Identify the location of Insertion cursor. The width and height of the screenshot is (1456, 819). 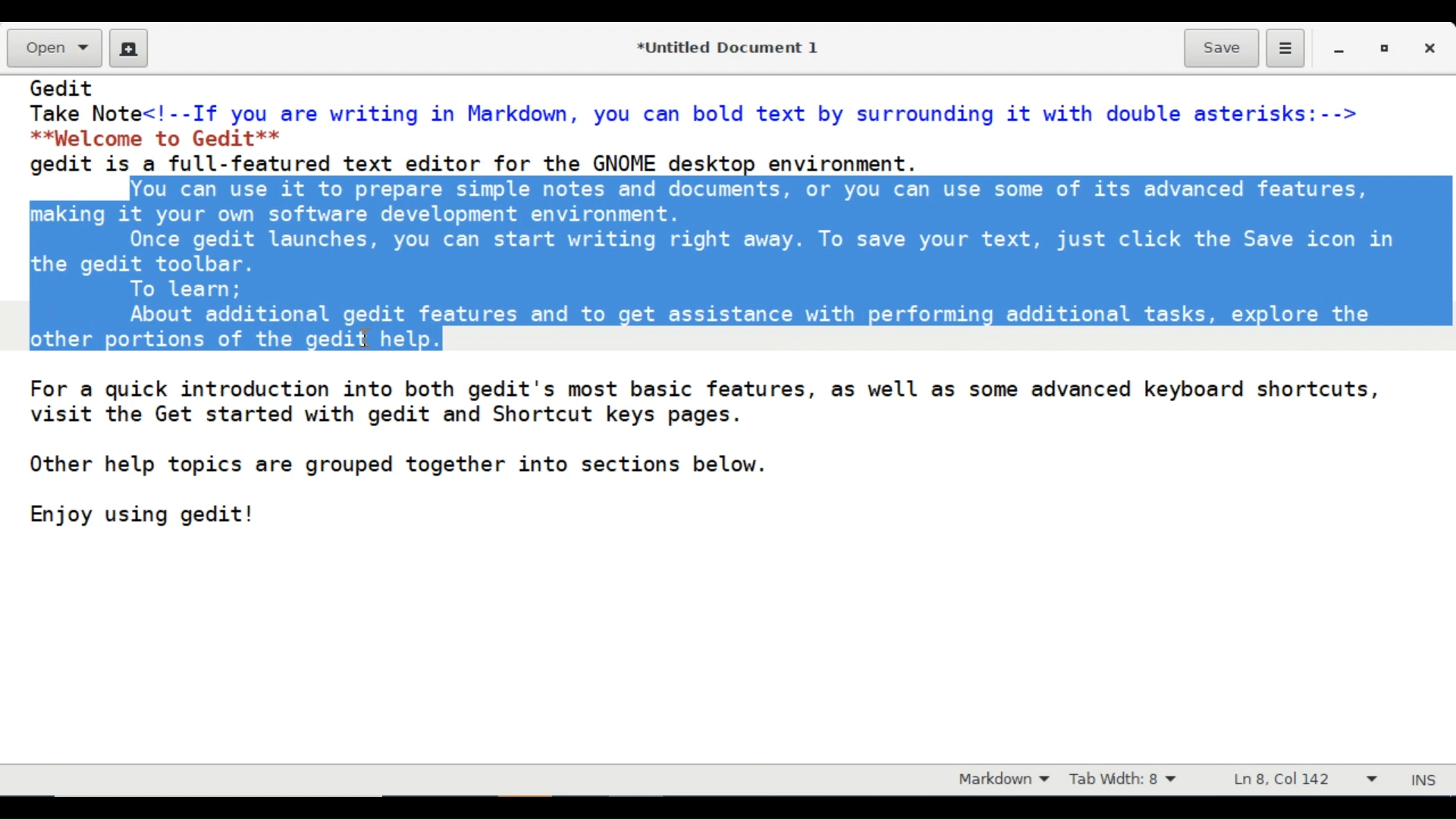
(368, 336).